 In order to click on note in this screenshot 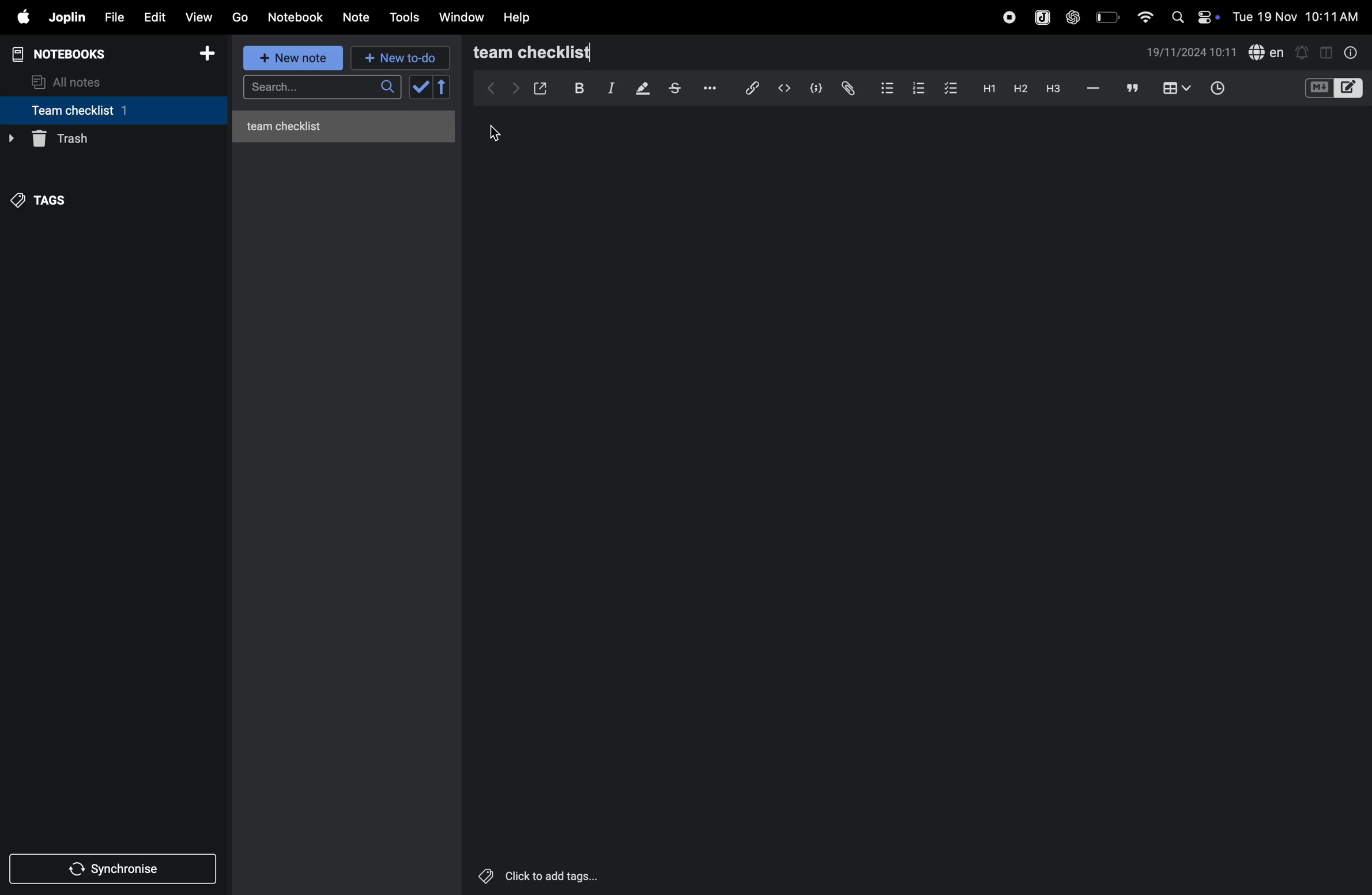, I will do `click(361, 16)`.